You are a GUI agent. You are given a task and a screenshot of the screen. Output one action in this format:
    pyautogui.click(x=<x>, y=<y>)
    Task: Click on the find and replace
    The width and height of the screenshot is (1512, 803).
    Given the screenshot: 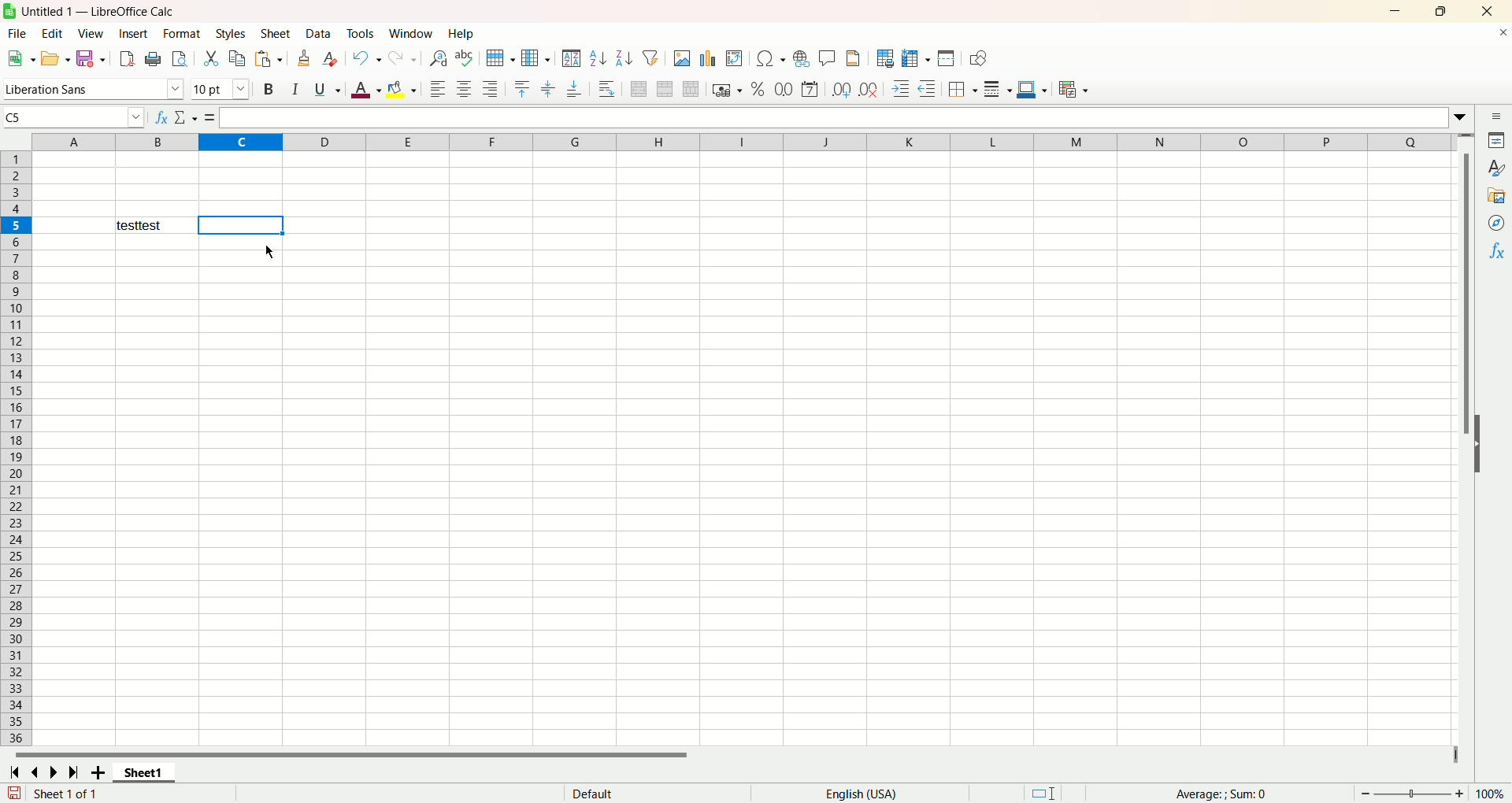 What is the action you would take?
    pyautogui.click(x=436, y=59)
    